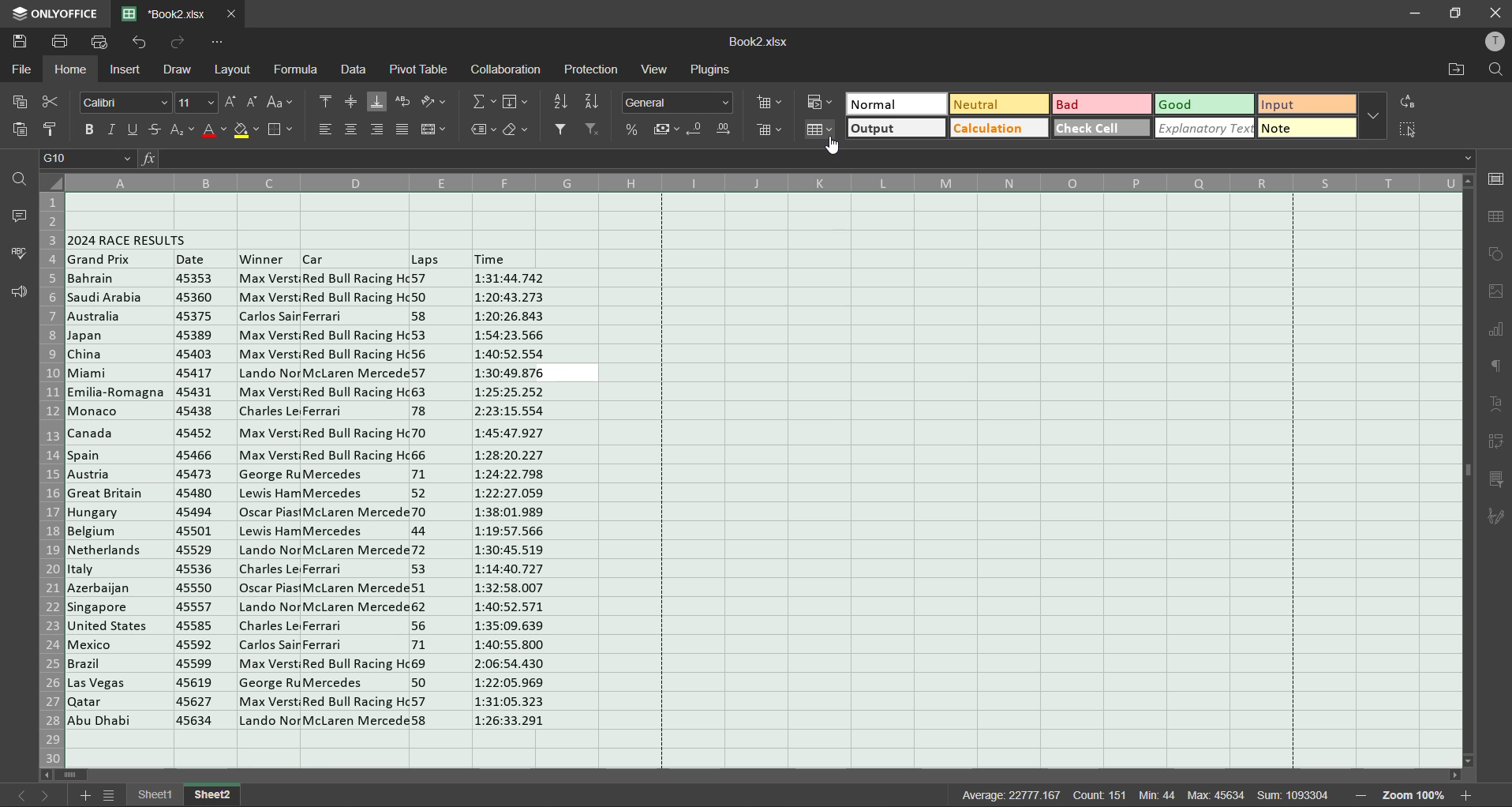  What do you see at coordinates (1295, 796) in the screenshot?
I see `sum` at bounding box center [1295, 796].